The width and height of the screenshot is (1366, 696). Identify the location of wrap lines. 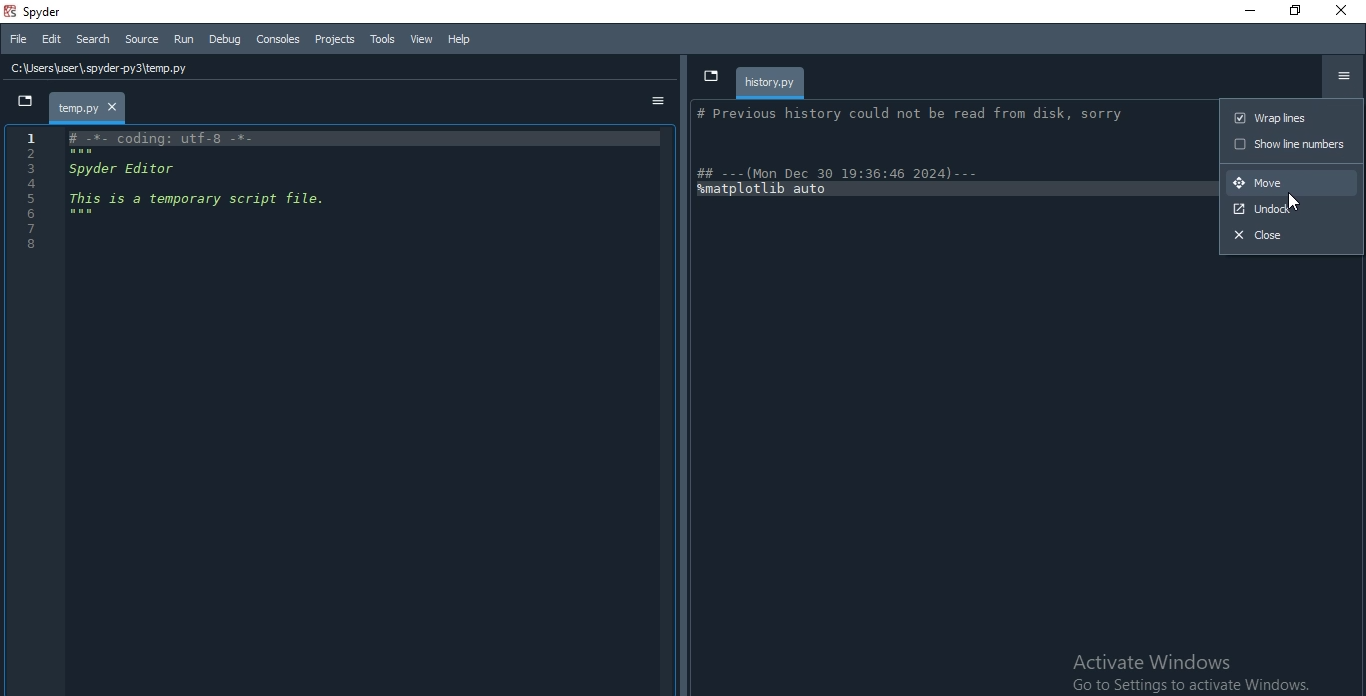
(1285, 115).